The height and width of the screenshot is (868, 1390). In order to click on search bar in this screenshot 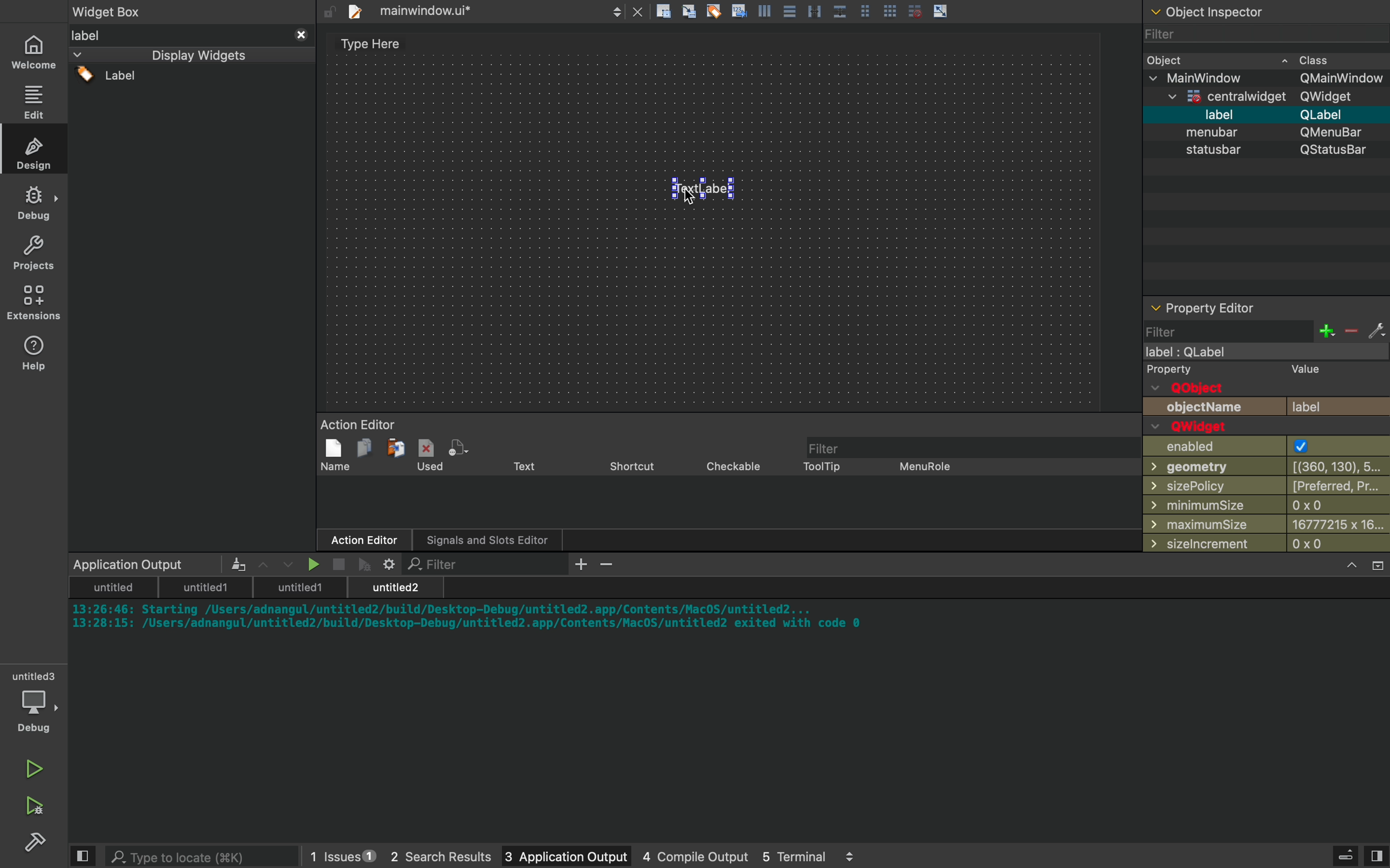, I will do `click(188, 856)`.